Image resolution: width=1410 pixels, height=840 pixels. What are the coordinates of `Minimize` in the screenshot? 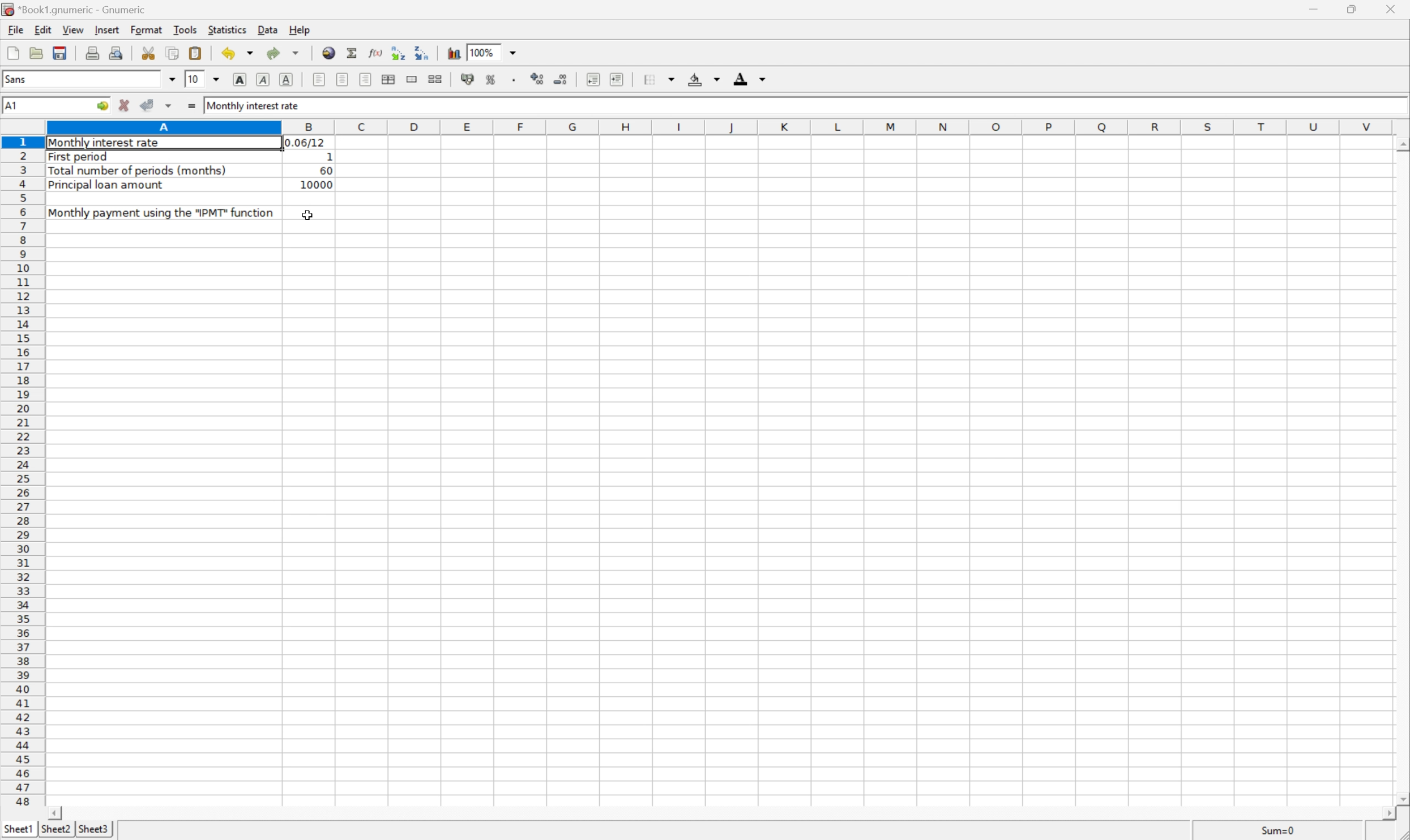 It's located at (1310, 8).